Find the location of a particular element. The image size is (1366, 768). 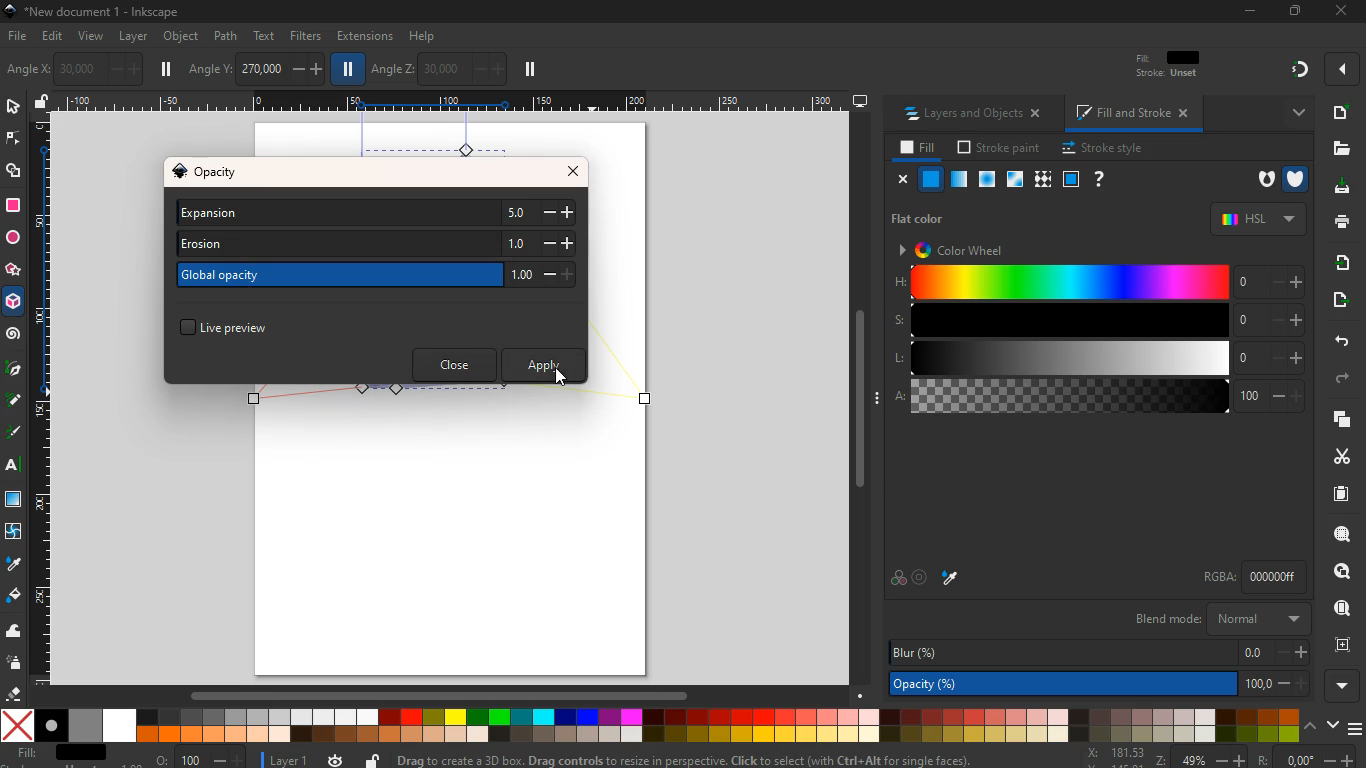

text is located at coordinates (266, 35).